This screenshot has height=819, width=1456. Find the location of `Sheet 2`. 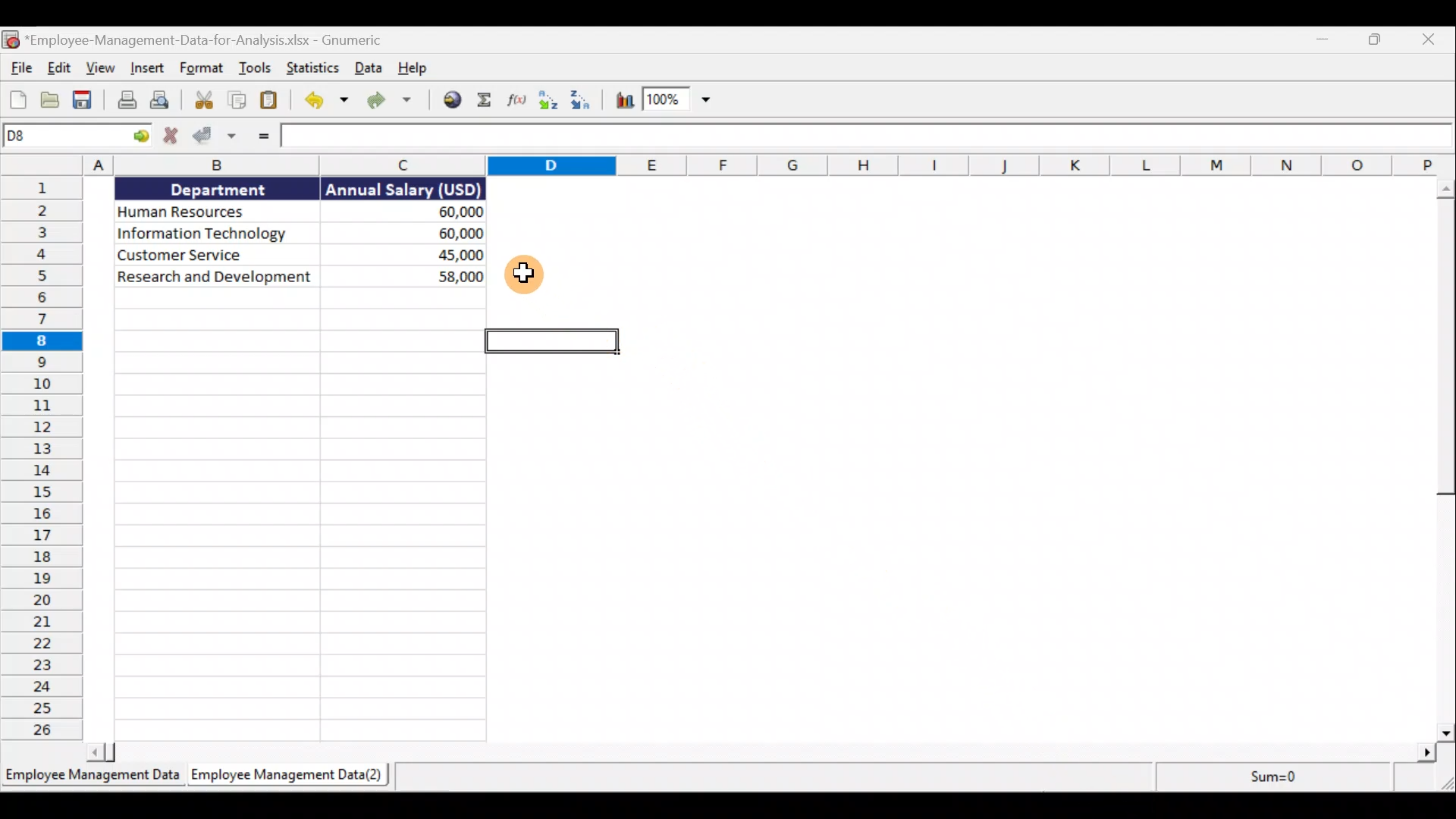

Sheet 2 is located at coordinates (294, 778).